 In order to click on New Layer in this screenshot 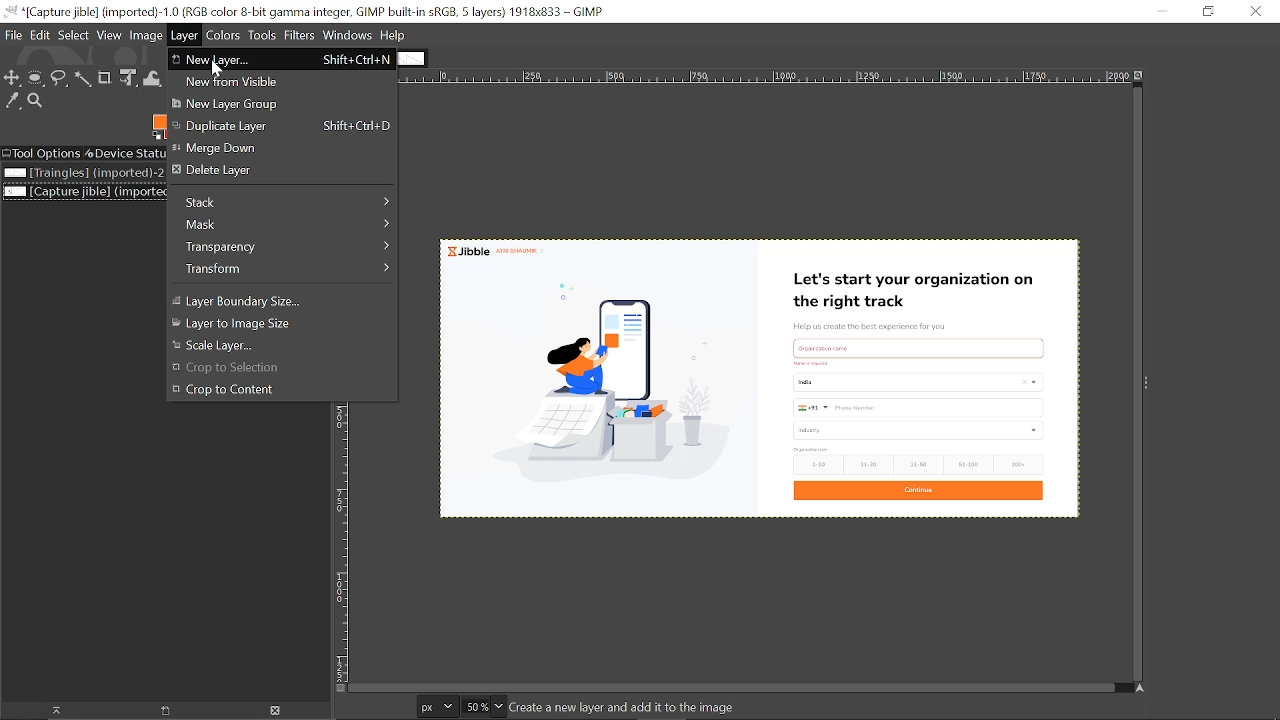, I will do `click(282, 61)`.